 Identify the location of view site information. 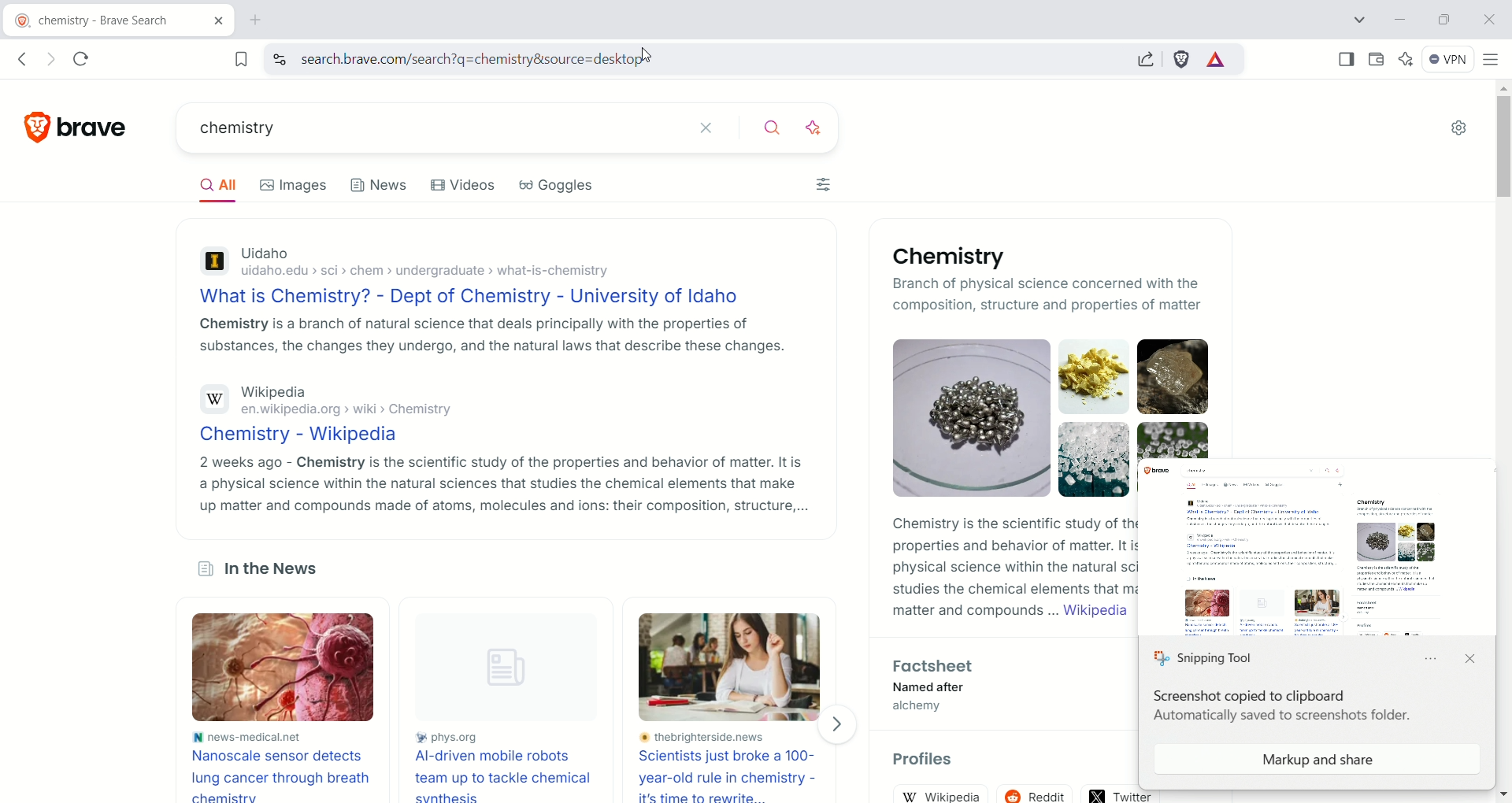
(279, 59).